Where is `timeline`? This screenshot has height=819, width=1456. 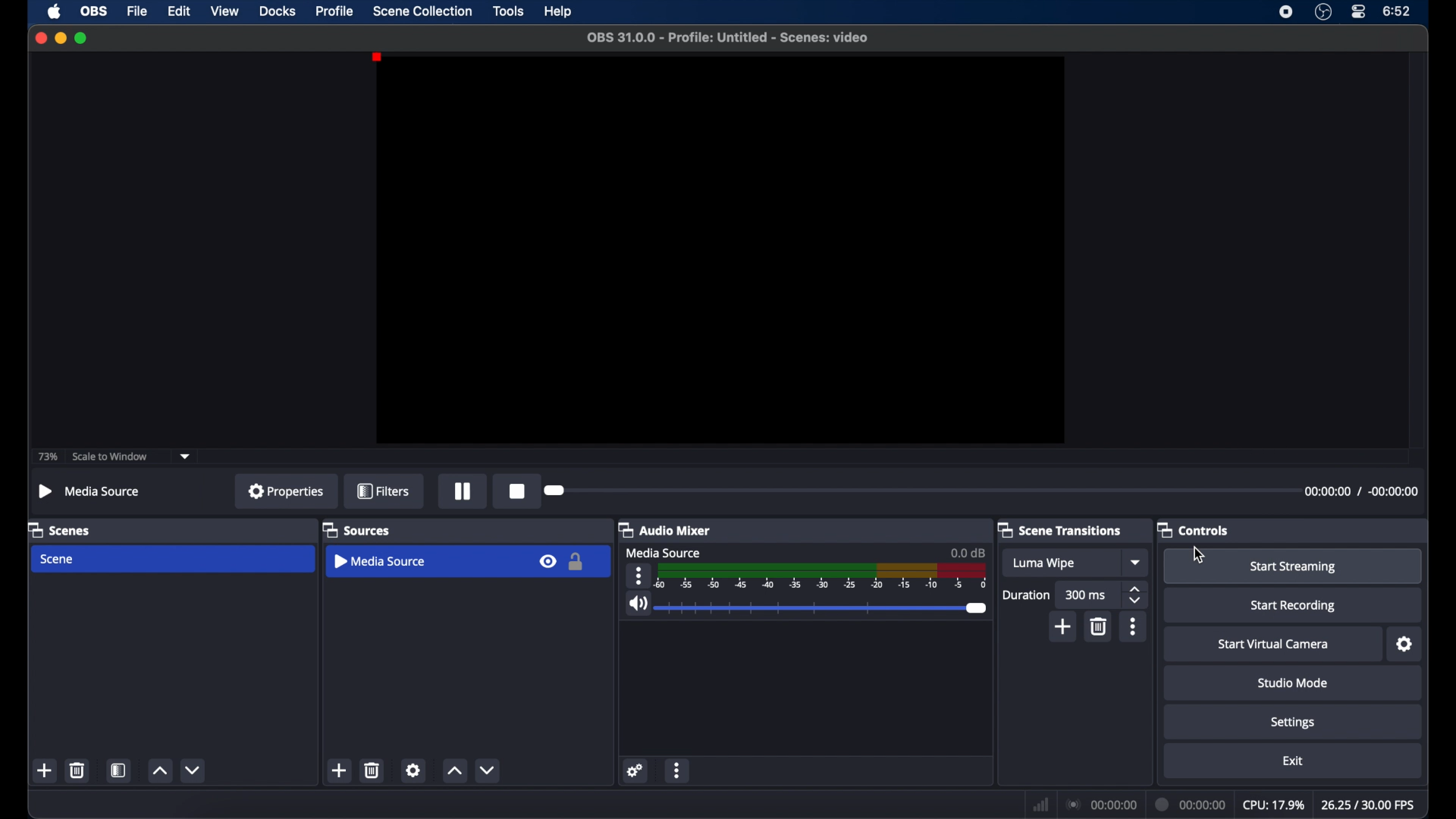 timeline is located at coordinates (820, 576).